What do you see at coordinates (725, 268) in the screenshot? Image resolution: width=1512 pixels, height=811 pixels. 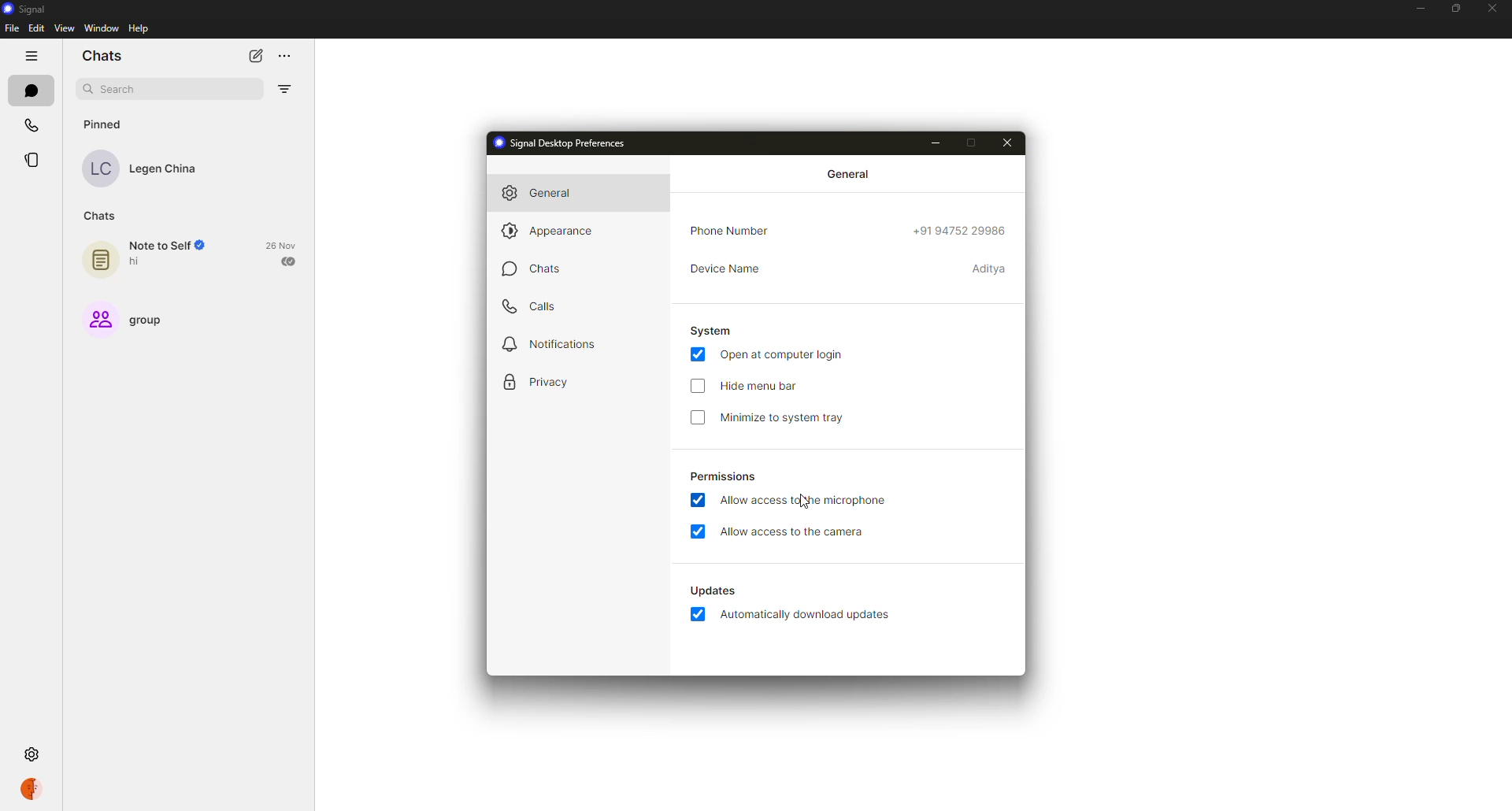 I see `device name` at bounding box center [725, 268].